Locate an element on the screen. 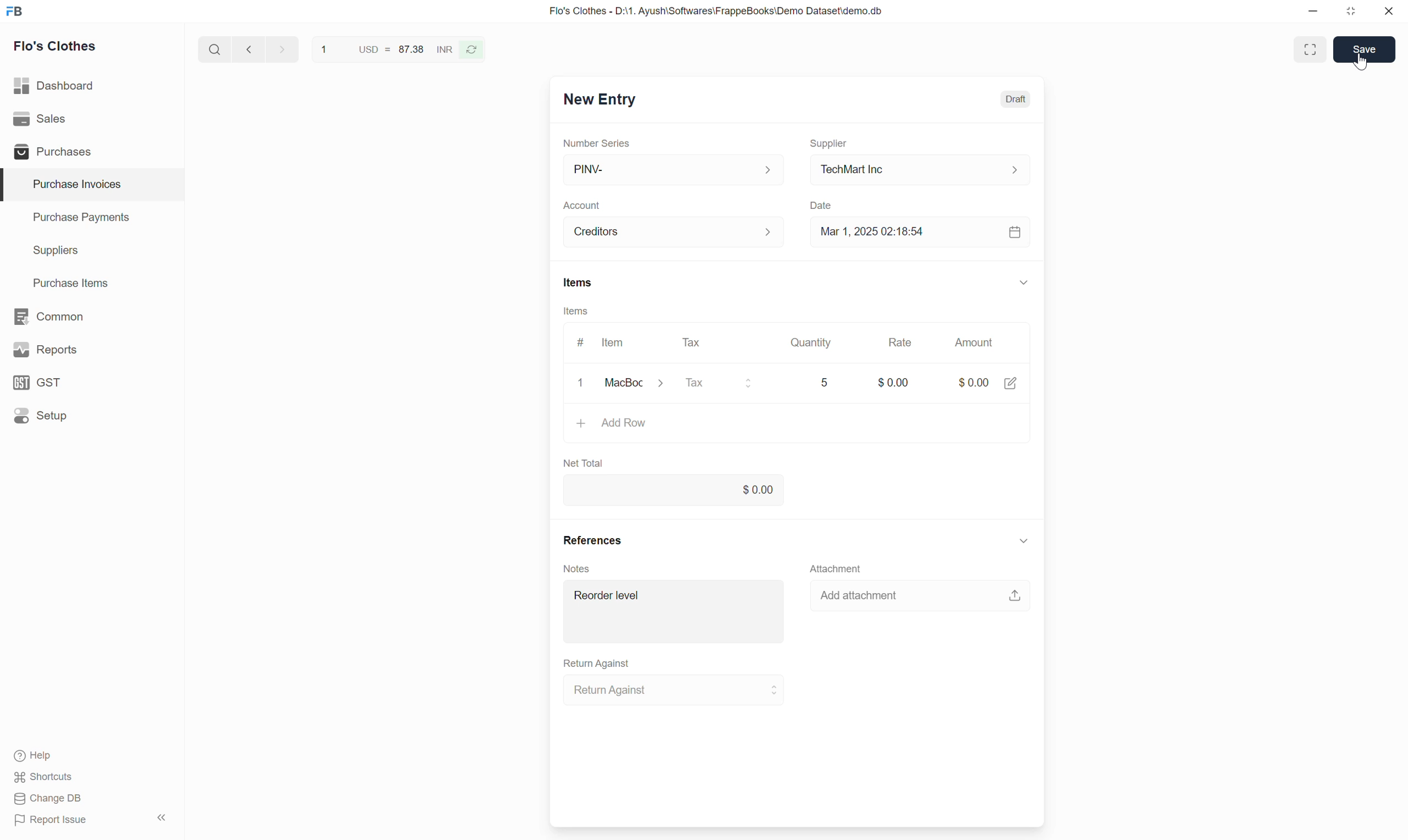 The width and height of the screenshot is (1408, 840). Report Issue is located at coordinates (52, 820).